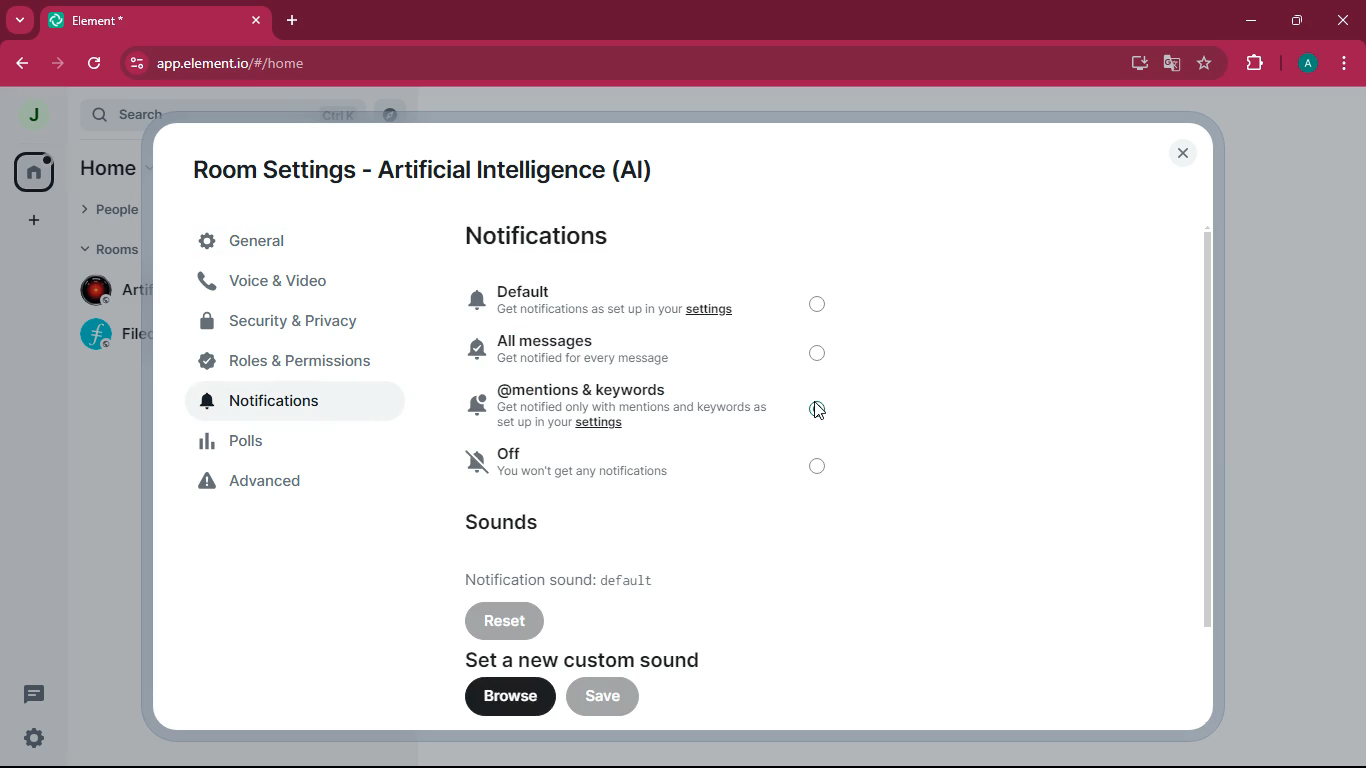  I want to click on close, so click(1343, 21).